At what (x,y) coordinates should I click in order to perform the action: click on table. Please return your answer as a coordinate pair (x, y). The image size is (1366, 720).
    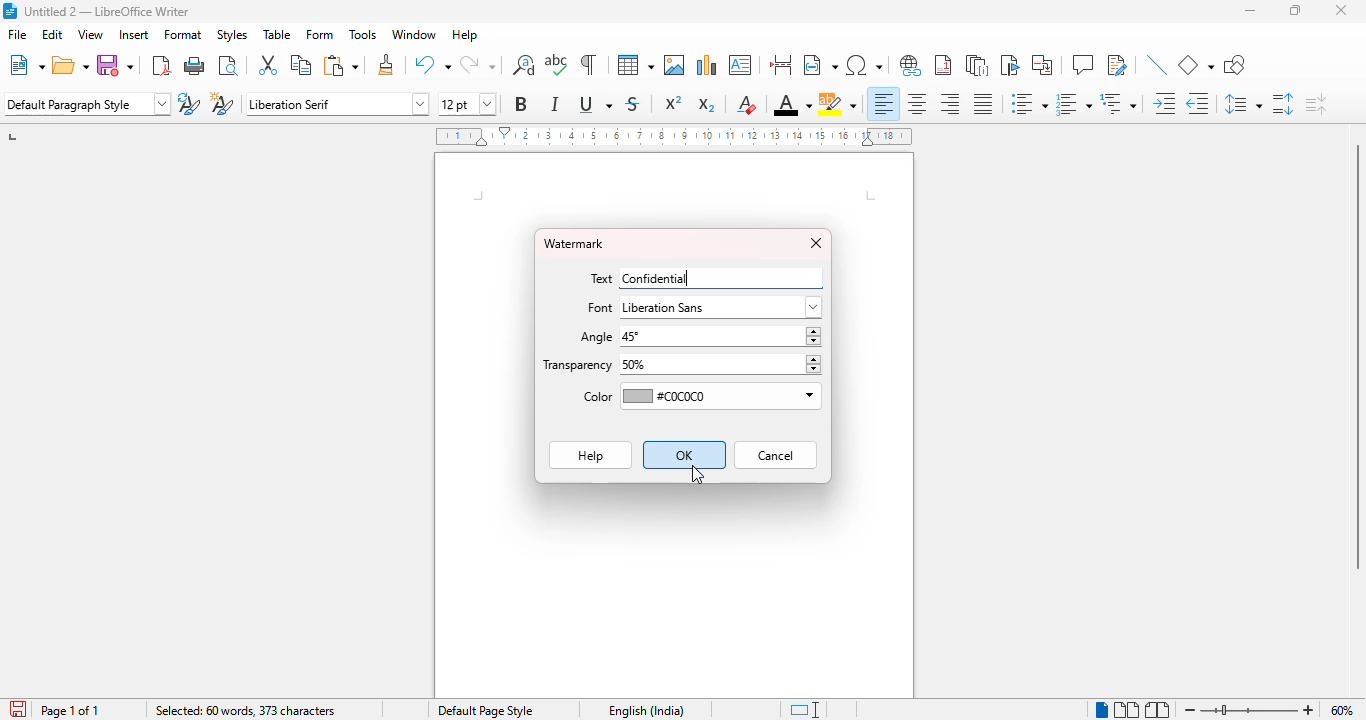
    Looking at the image, I should click on (635, 64).